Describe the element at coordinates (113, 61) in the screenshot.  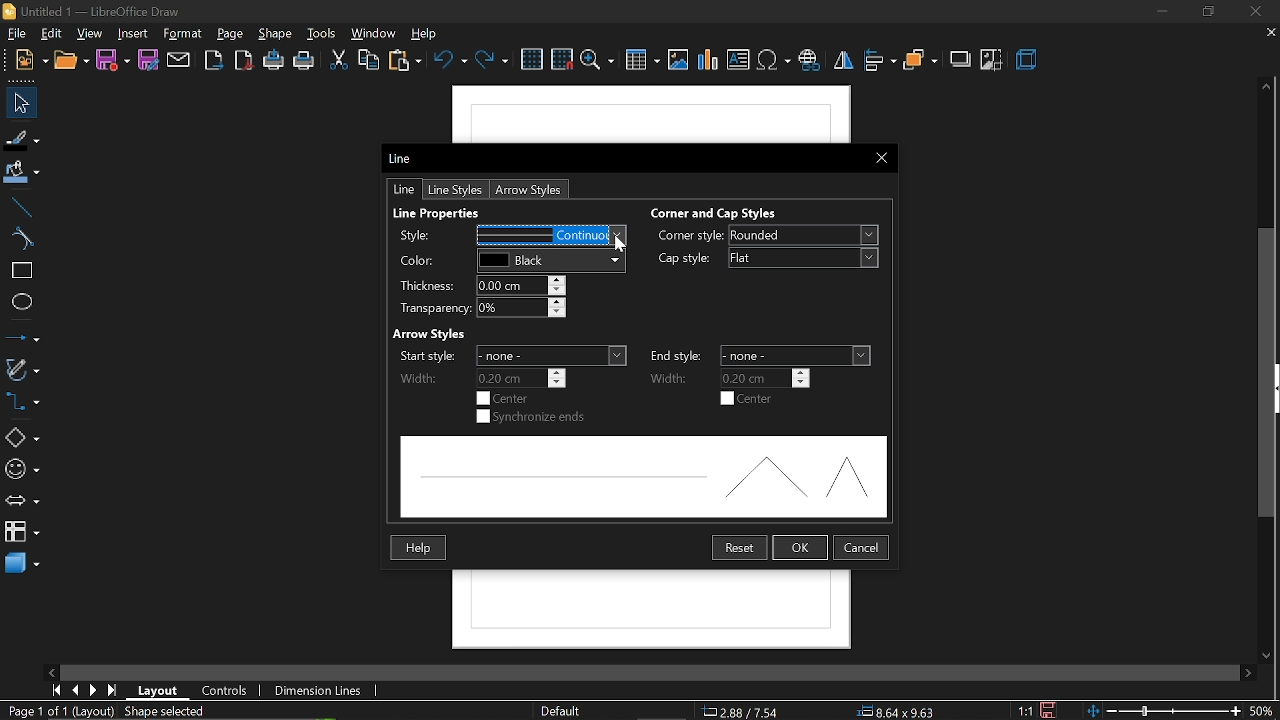
I see `save` at that location.